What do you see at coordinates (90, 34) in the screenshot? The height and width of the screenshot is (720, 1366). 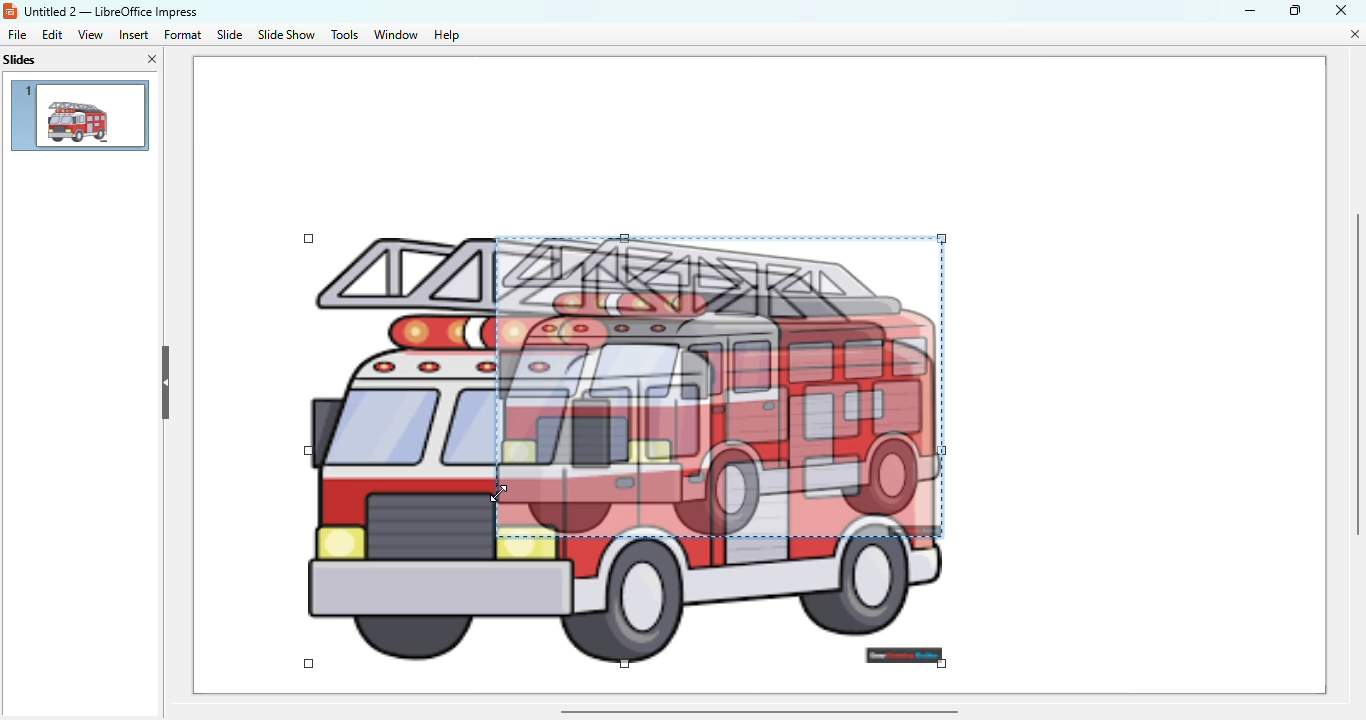 I see `view` at bounding box center [90, 34].